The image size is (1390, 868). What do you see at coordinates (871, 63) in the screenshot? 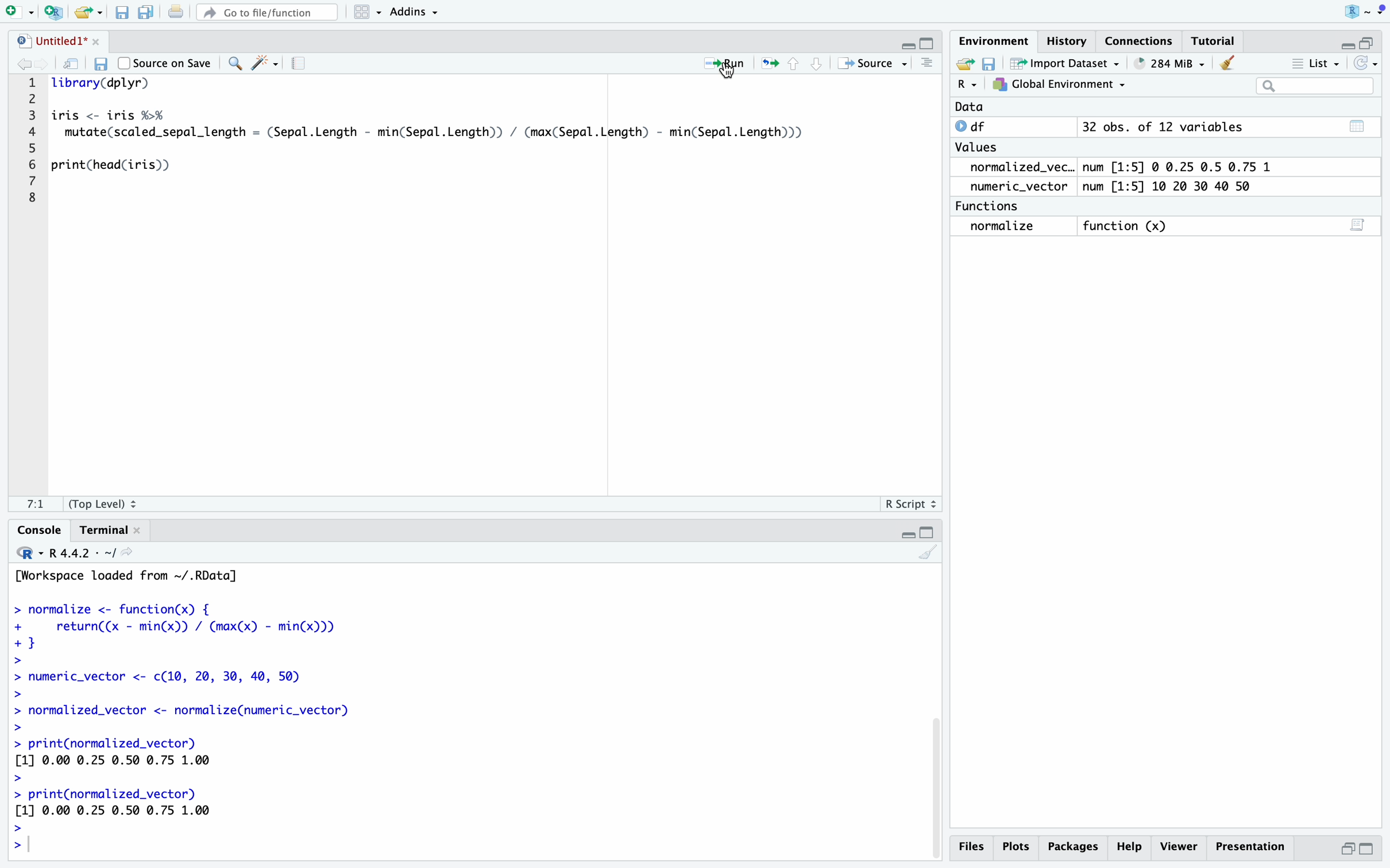
I see `Source` at bounding box center [871, 63].